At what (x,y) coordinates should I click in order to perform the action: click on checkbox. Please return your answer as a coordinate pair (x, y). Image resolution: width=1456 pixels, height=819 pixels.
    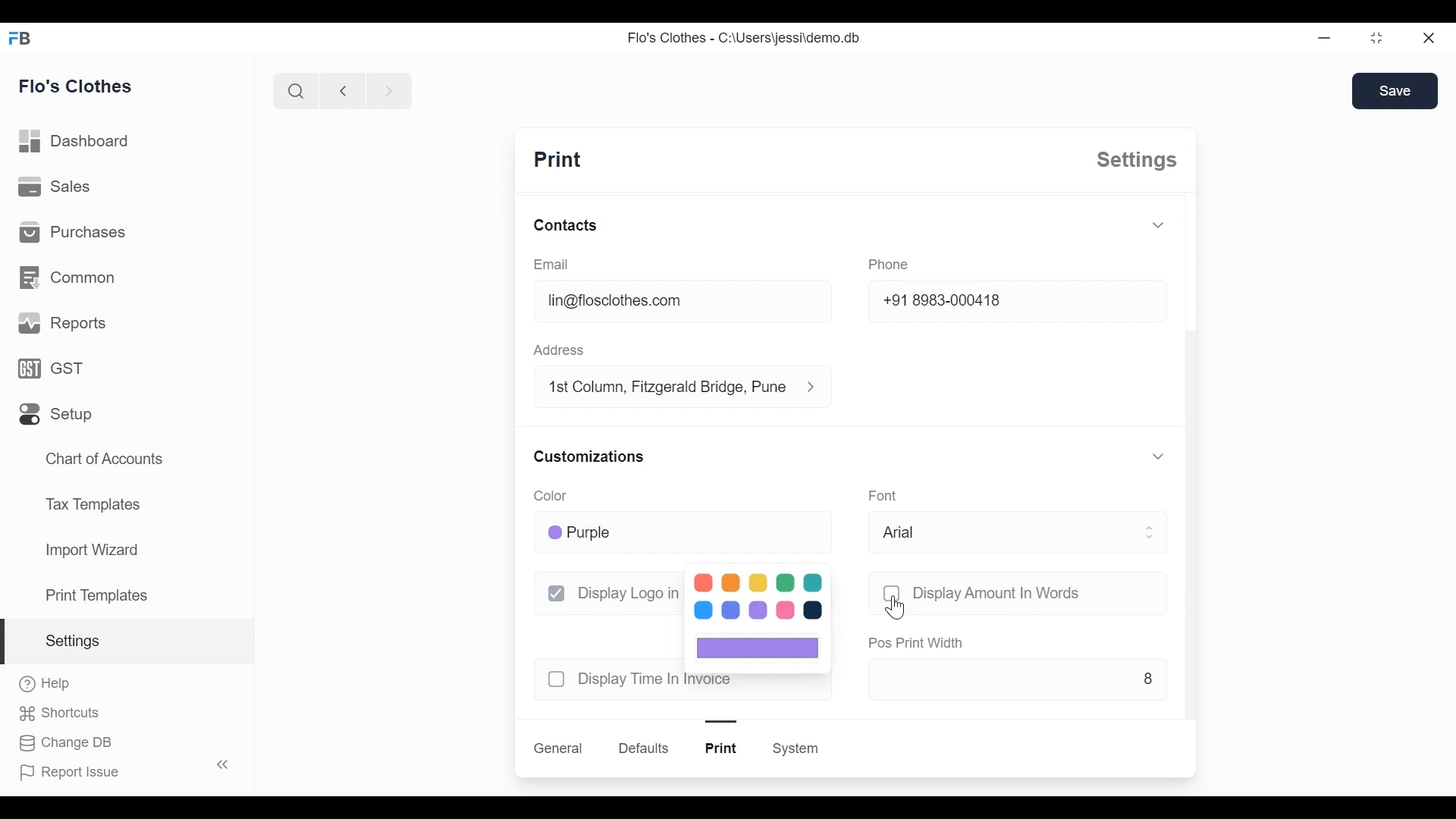
    Looking at the image, I should click on (557, 593).